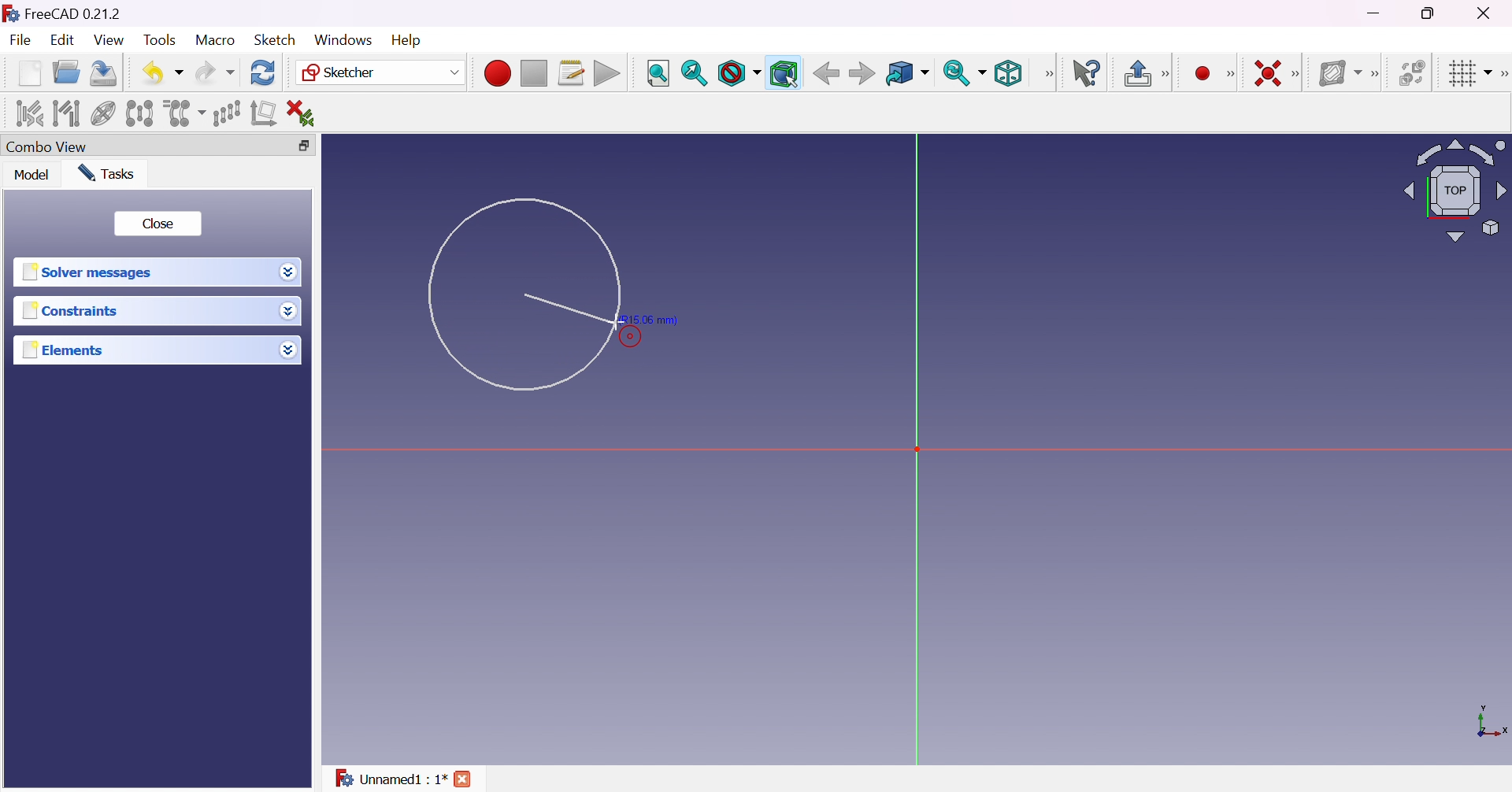 Image resolution: width=1512 pixels, height=792 pixels. Describe the element at coordinates (862, 75) in the screenshot. I see `Forward` at that location.